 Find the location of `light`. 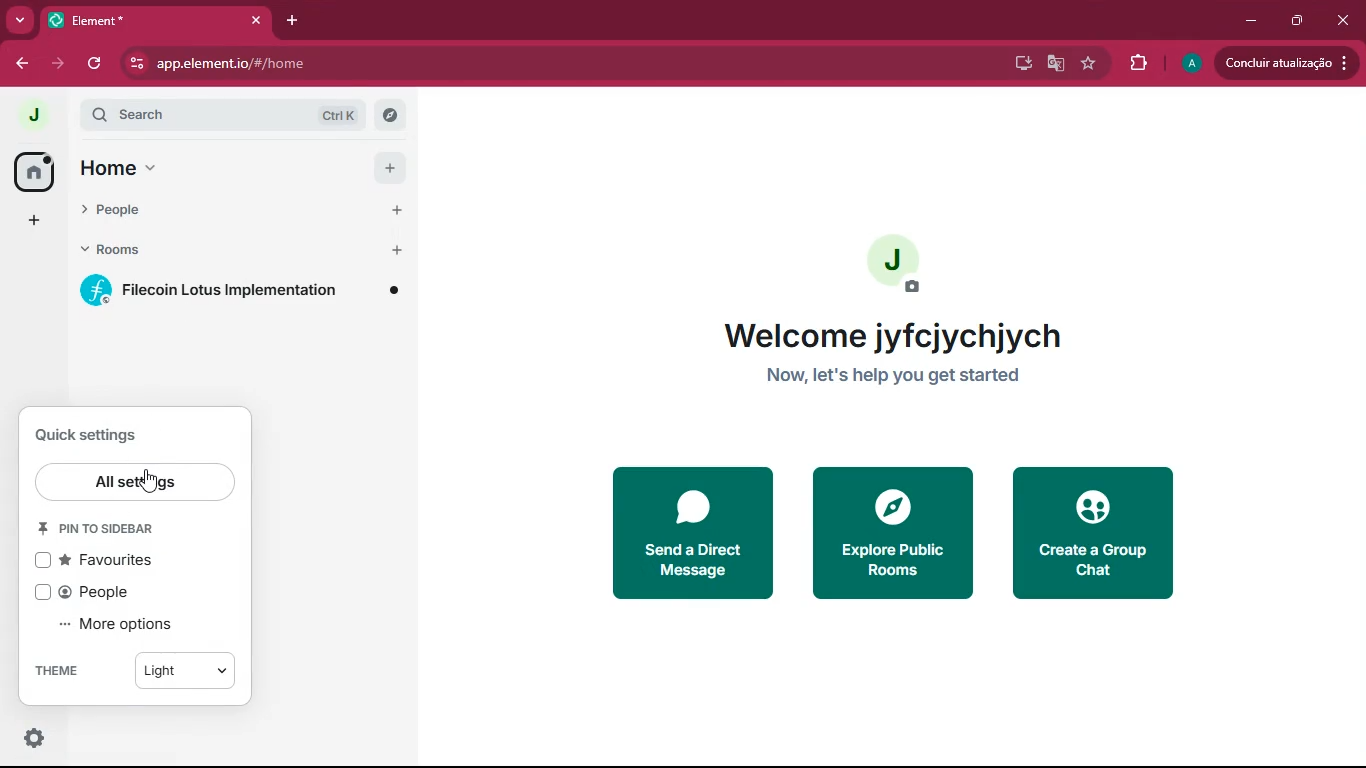

light is located at coordinates (185, 669).